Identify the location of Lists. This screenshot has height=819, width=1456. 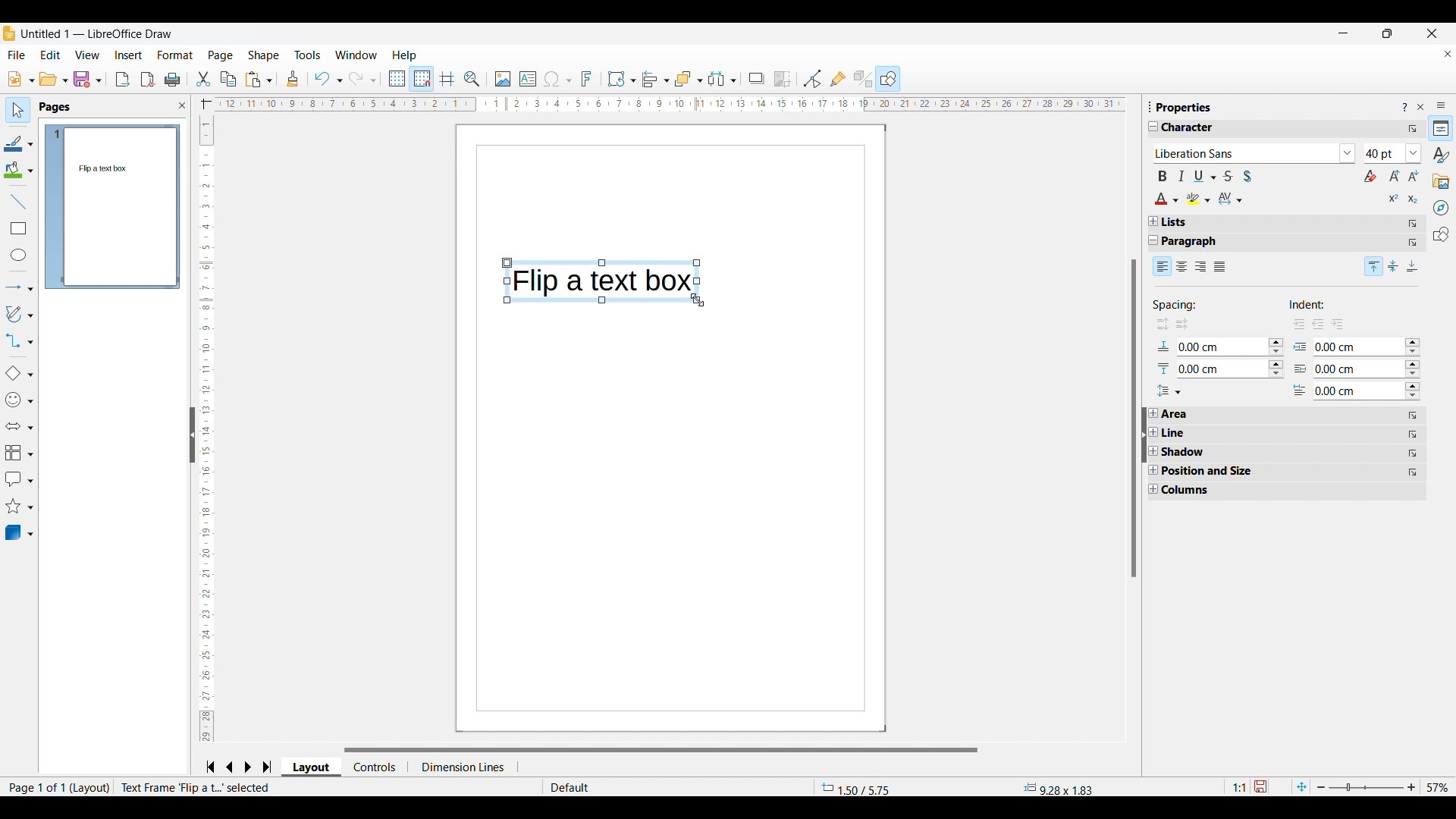
(1175, 222).